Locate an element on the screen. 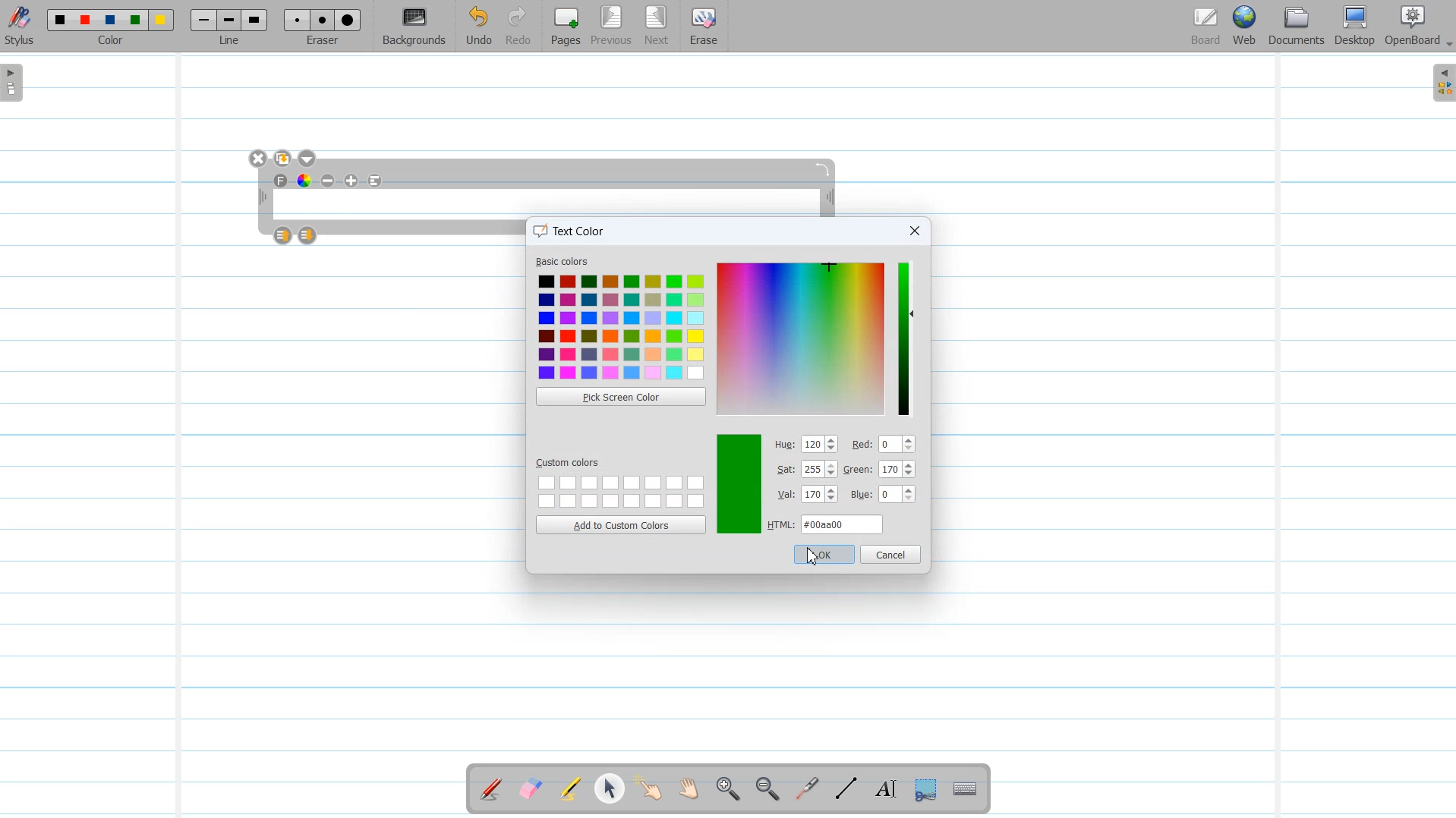 This screenshot has width=1456, height=818. Text Font  is located at coordinates (282, 181).